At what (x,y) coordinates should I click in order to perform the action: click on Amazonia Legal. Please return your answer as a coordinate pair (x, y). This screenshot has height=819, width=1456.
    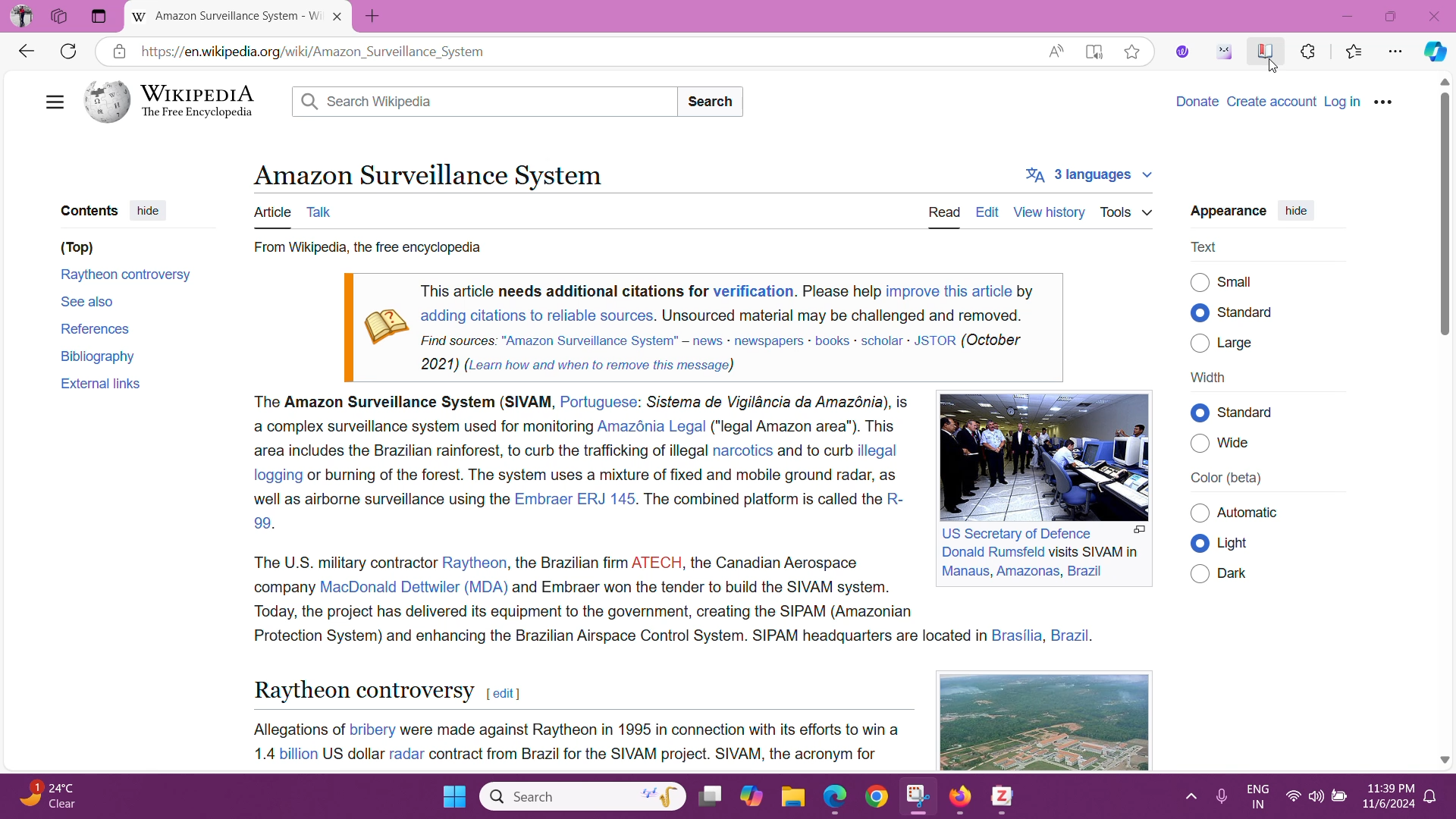
    Looking at the image, I should click on (652, 426).